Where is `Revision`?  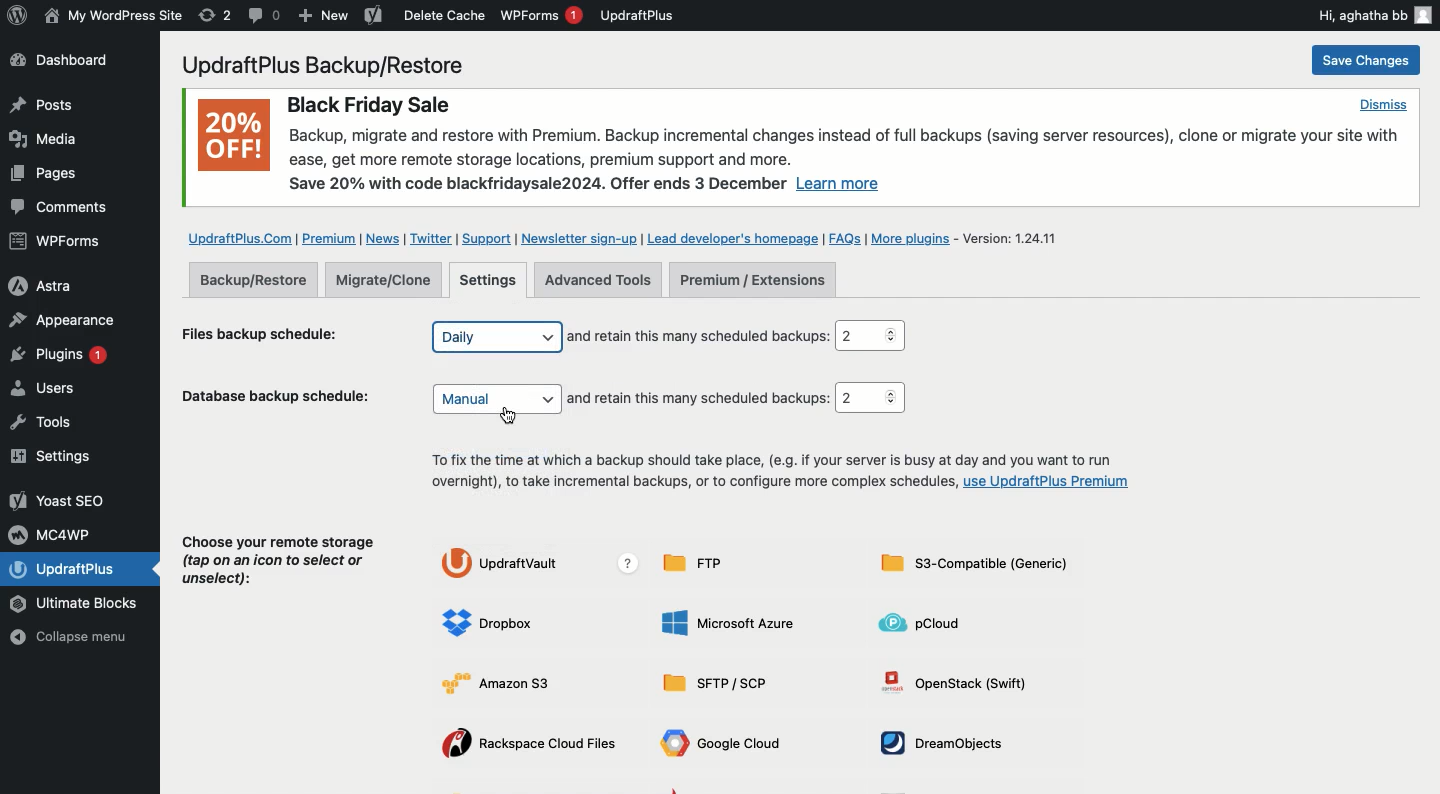
Revision is located at coordinates (215, 15).